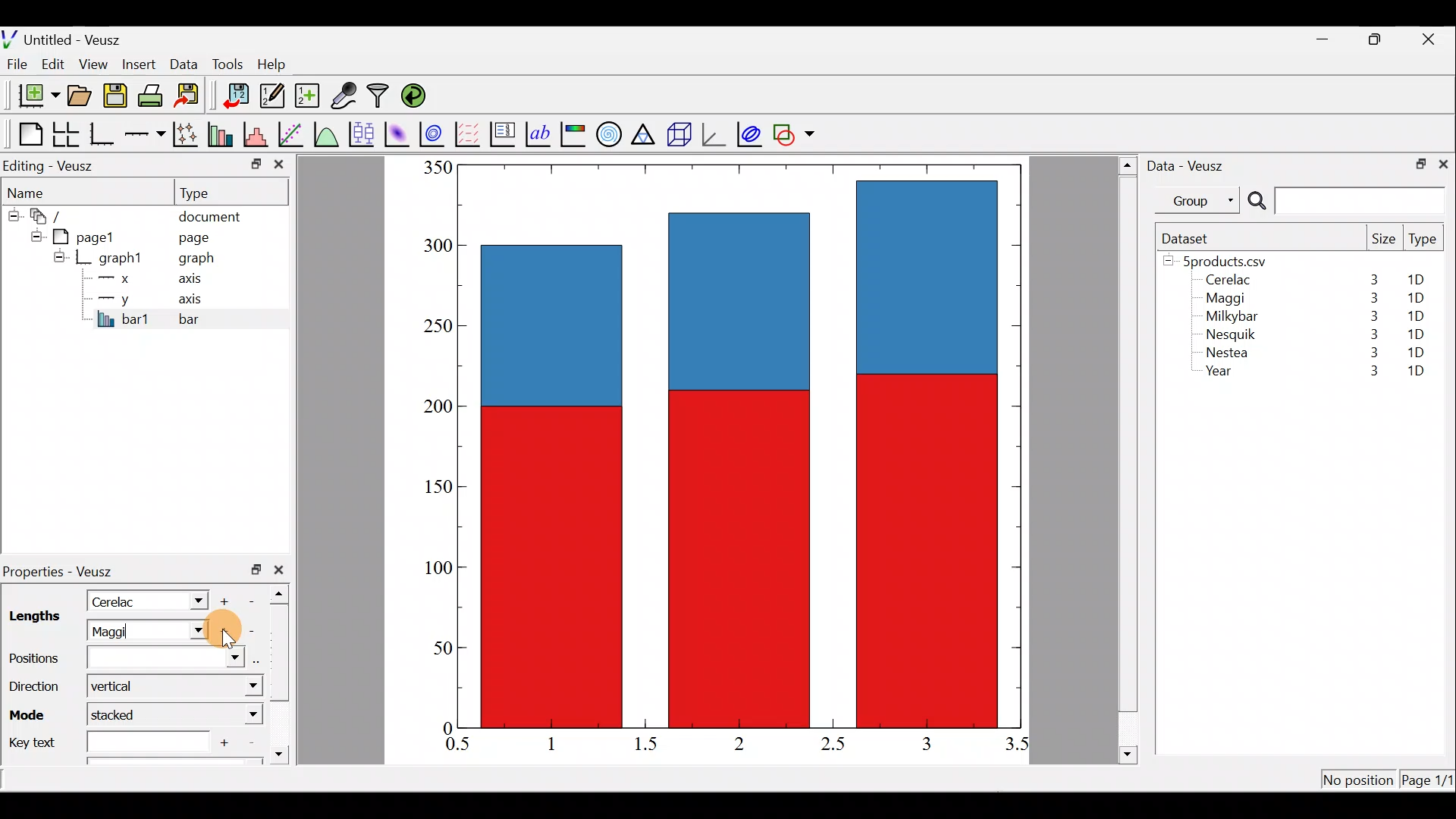 Image resolution: width=1456 pixels, height=819 pixels. What do you see at coordinates (1223, 260) in the screenshot?
I see `5products.csv` at bounding box center [1223, 260].